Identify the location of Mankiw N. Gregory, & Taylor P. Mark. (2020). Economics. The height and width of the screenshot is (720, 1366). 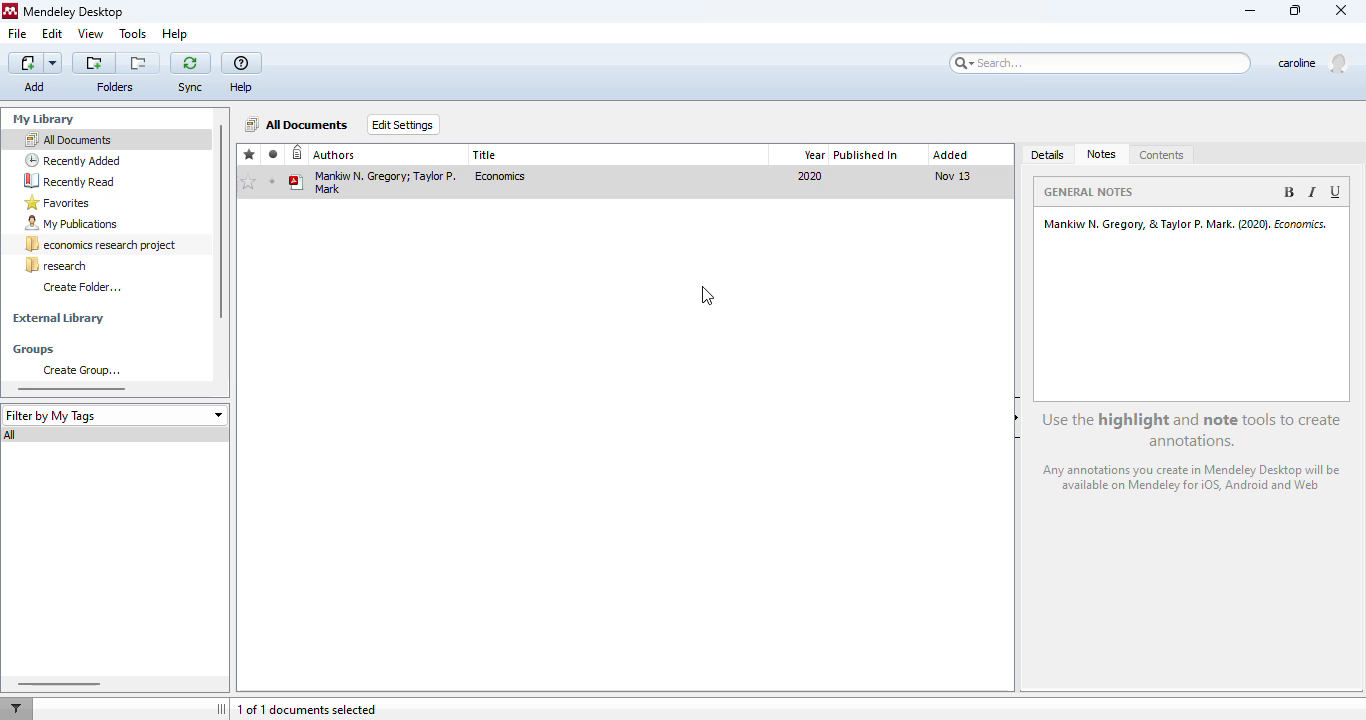
(1188, 223).